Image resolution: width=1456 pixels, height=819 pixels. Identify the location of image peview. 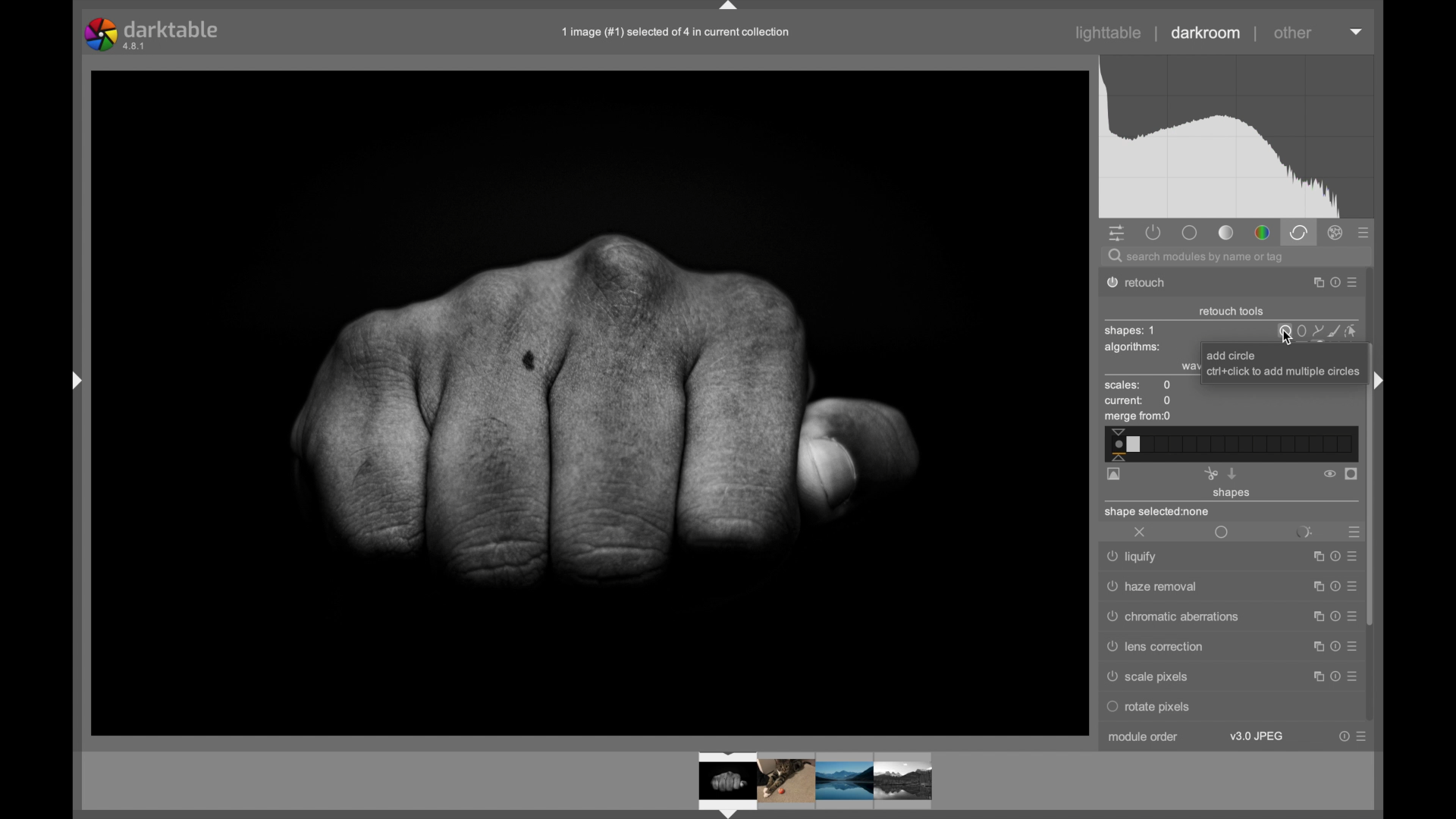
(800, 783).